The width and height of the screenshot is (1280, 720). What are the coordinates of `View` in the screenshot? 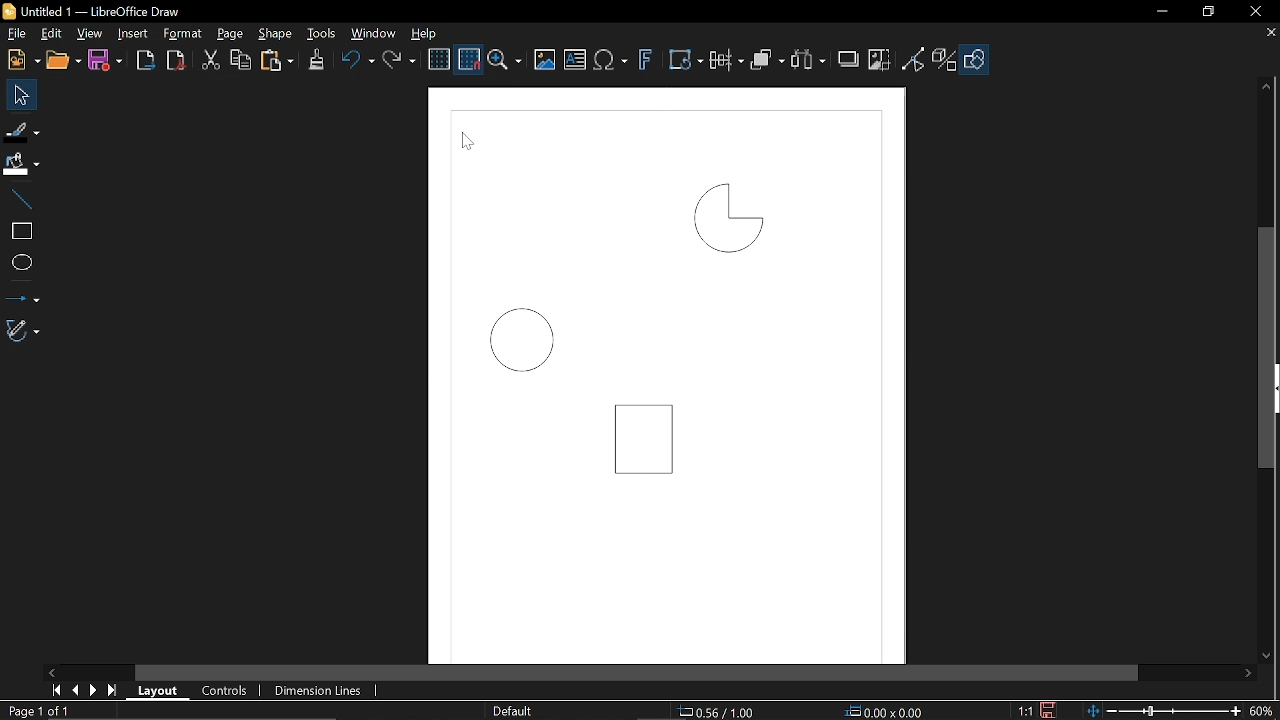 It's located at (90, 32).